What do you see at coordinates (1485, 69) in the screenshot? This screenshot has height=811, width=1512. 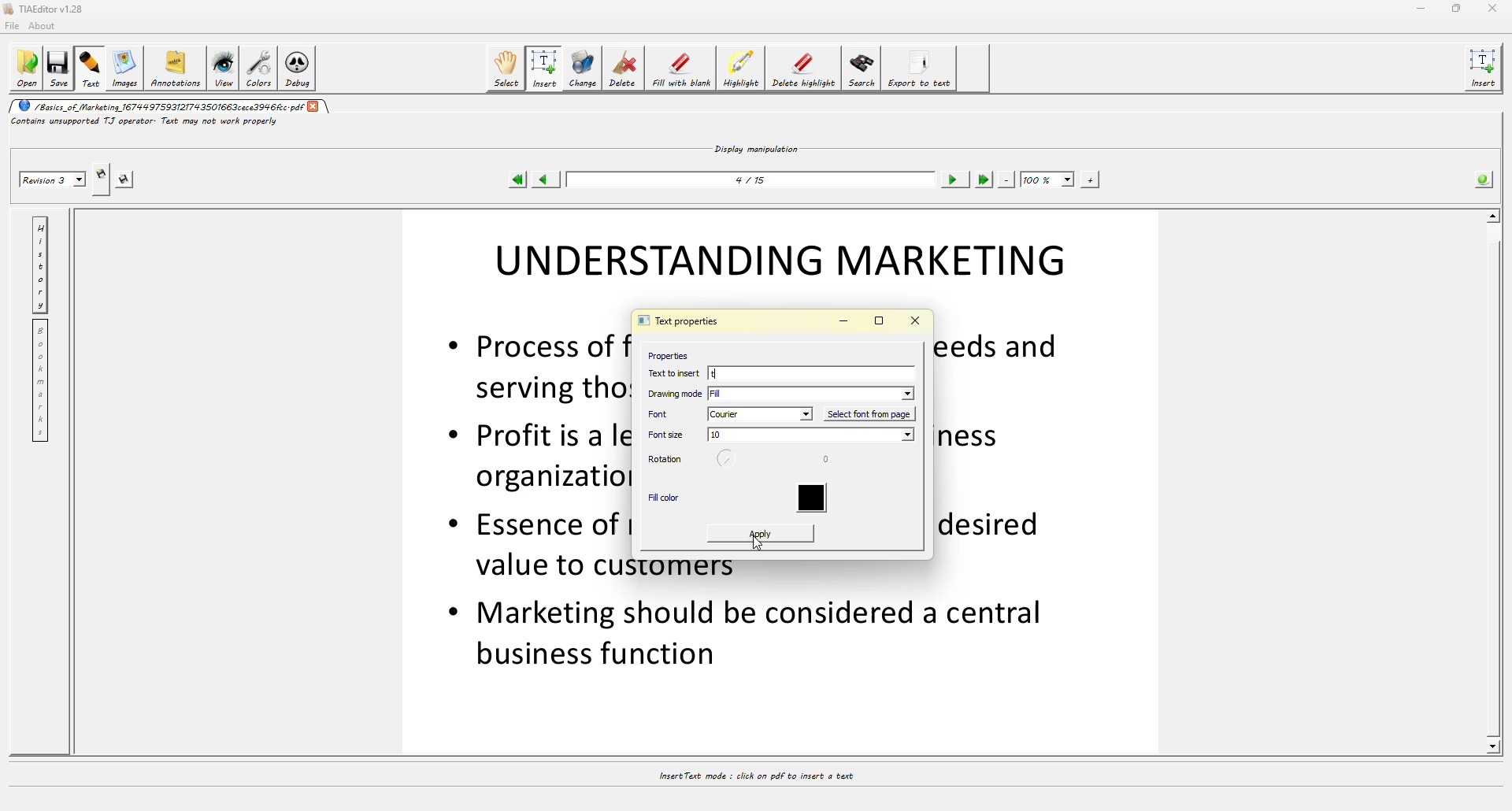 I see `insert` at bounding box center [1485, 69].